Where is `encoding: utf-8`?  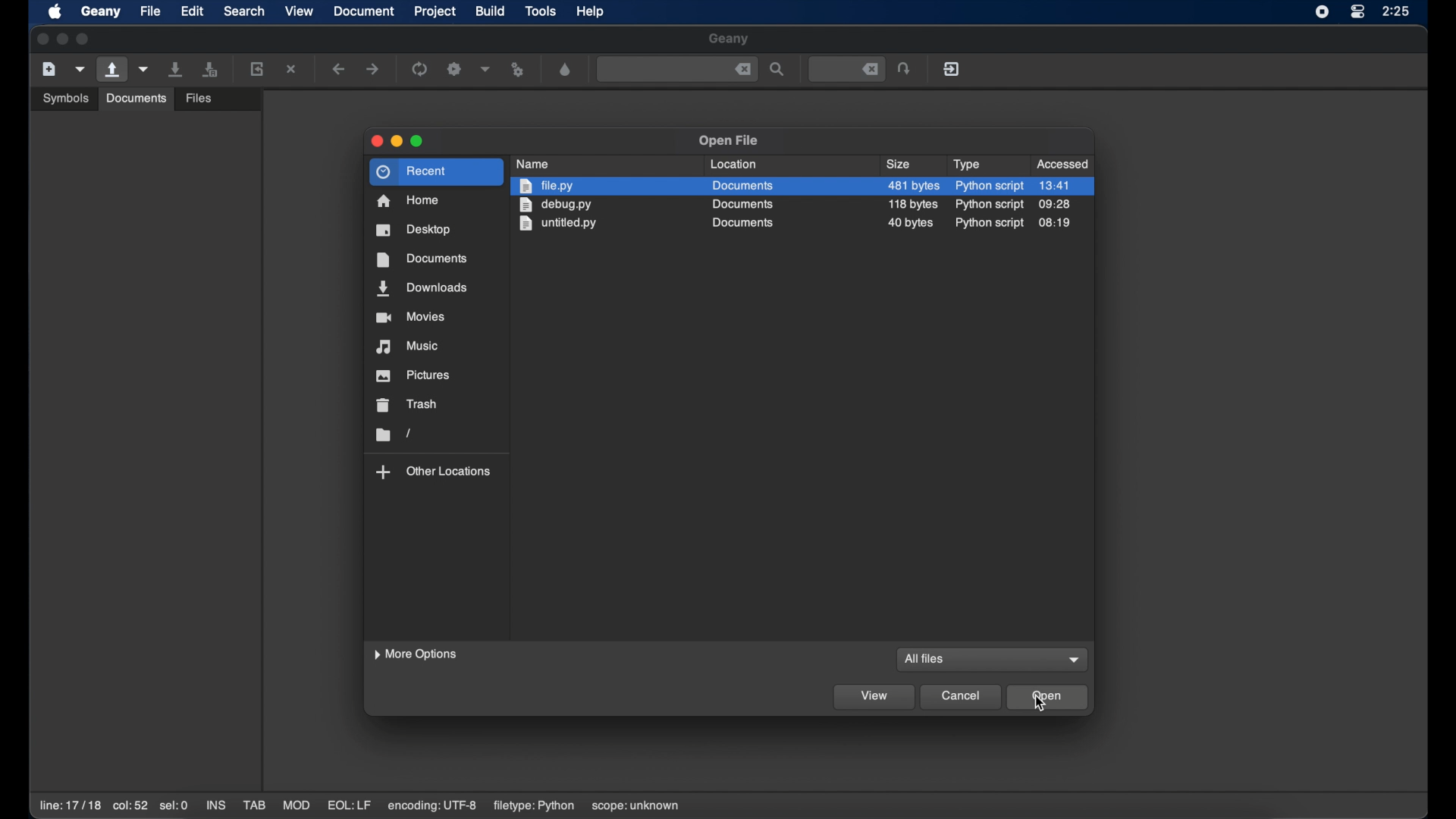 encoding: utf-8 is located at coordinates (433, 805).